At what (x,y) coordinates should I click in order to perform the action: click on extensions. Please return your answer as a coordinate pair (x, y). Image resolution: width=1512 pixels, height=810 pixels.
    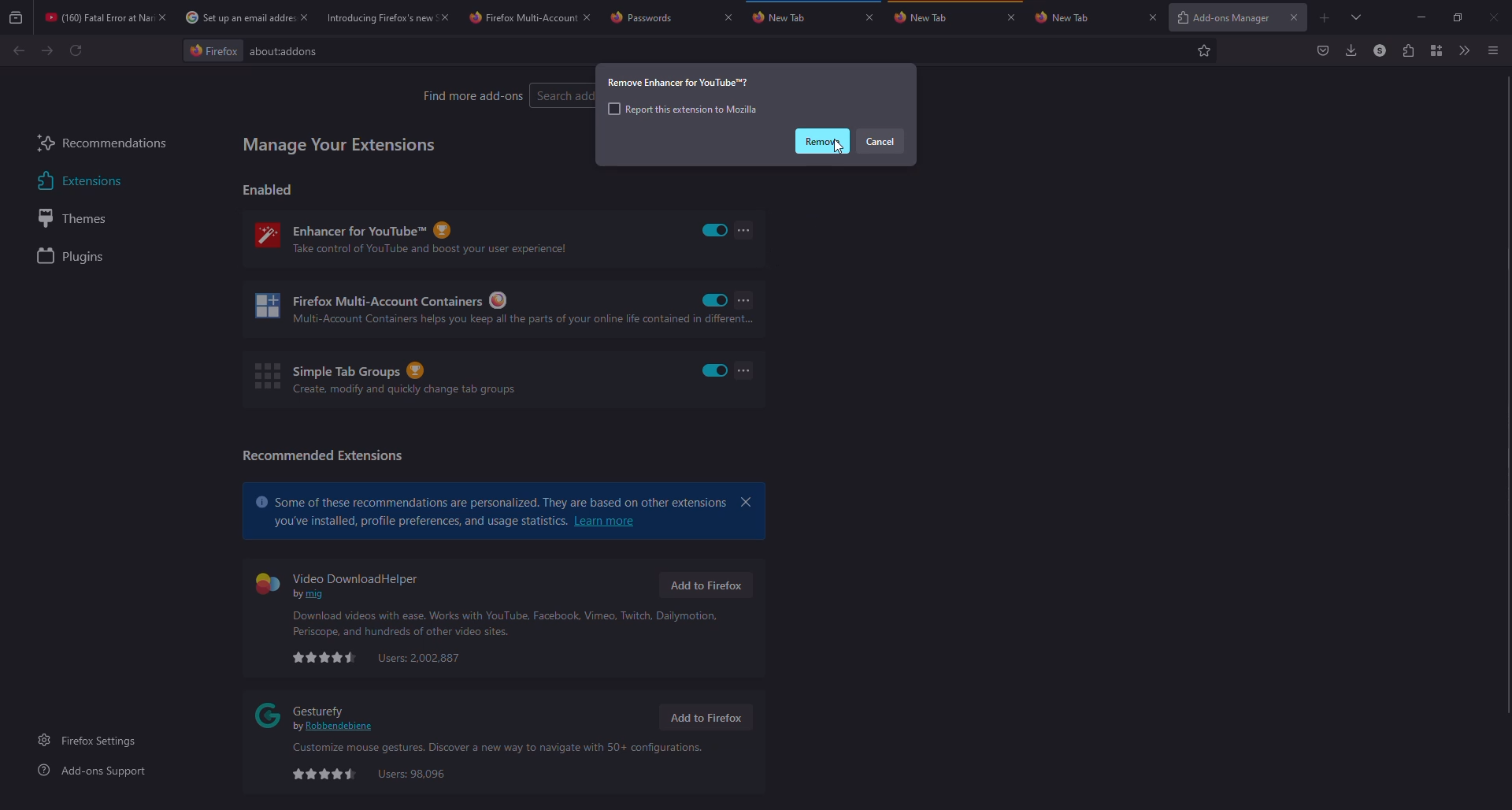
    Looking at the image, I should click on (77, 181).